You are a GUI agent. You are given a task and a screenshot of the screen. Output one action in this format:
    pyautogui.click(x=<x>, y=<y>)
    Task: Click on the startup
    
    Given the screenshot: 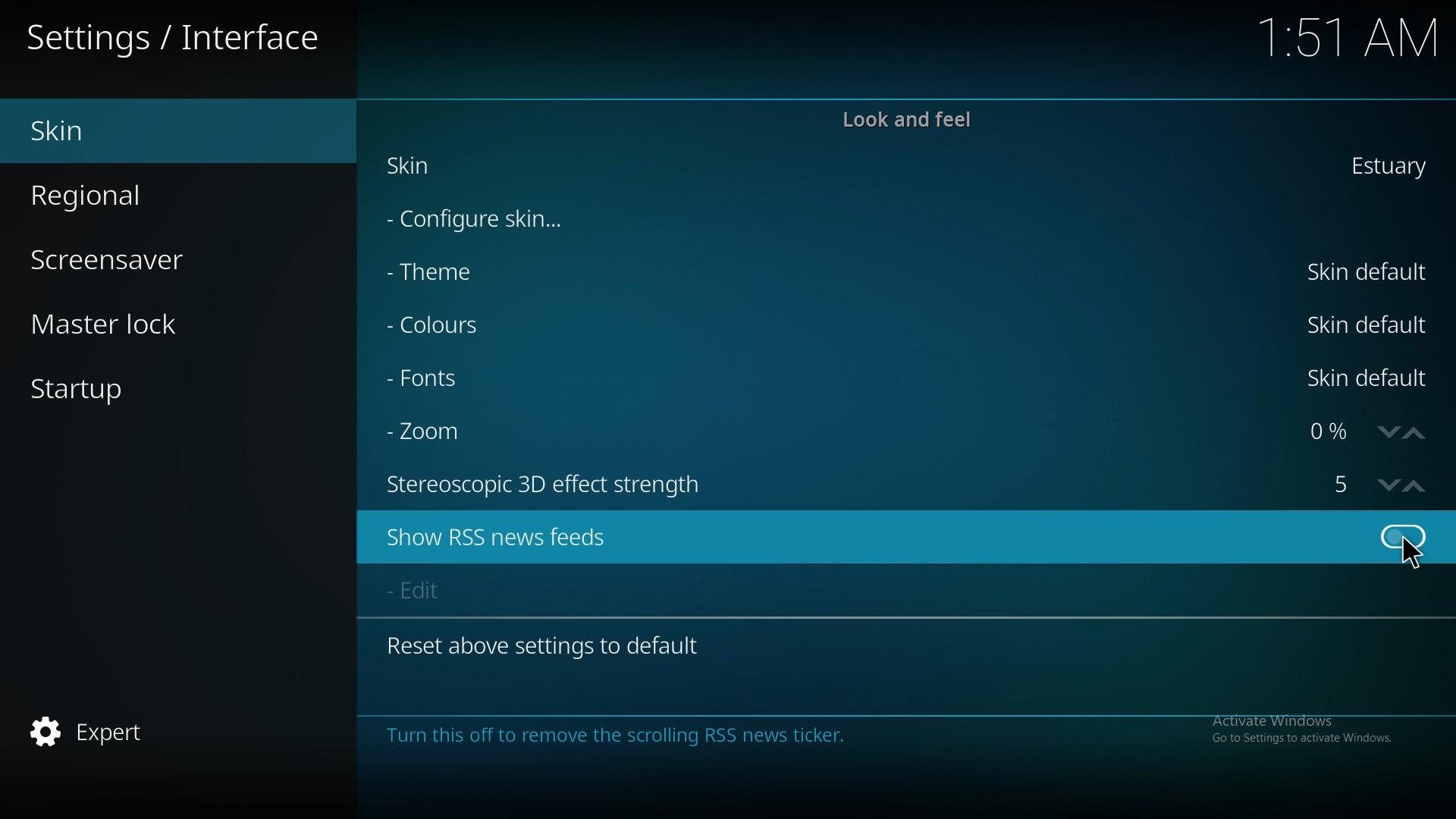 What is the action you would take?
    pyautogui.click(x=105, y=393)
    